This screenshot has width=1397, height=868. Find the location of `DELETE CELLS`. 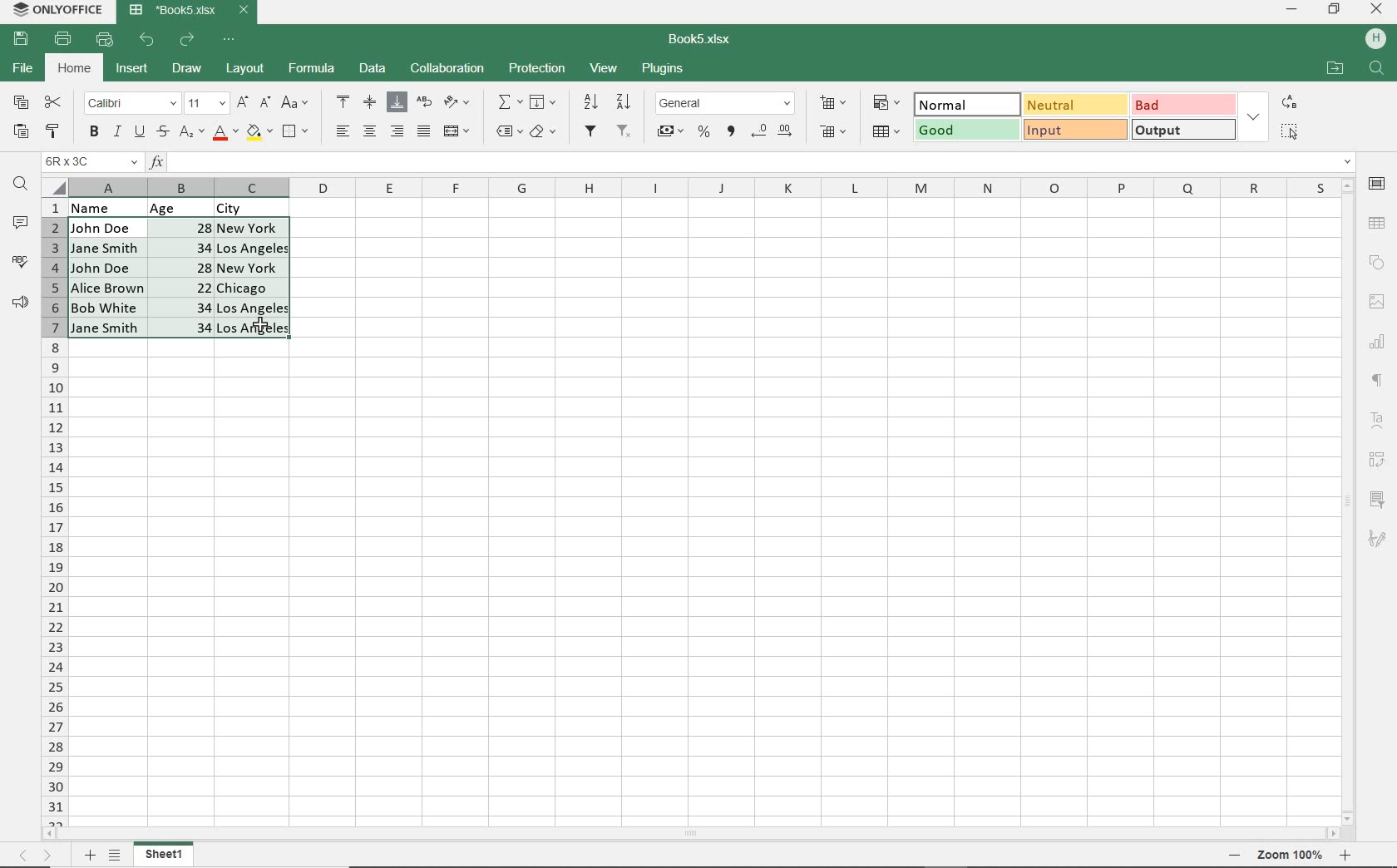

DELETE CELLS is located at coordinates (835, 133).